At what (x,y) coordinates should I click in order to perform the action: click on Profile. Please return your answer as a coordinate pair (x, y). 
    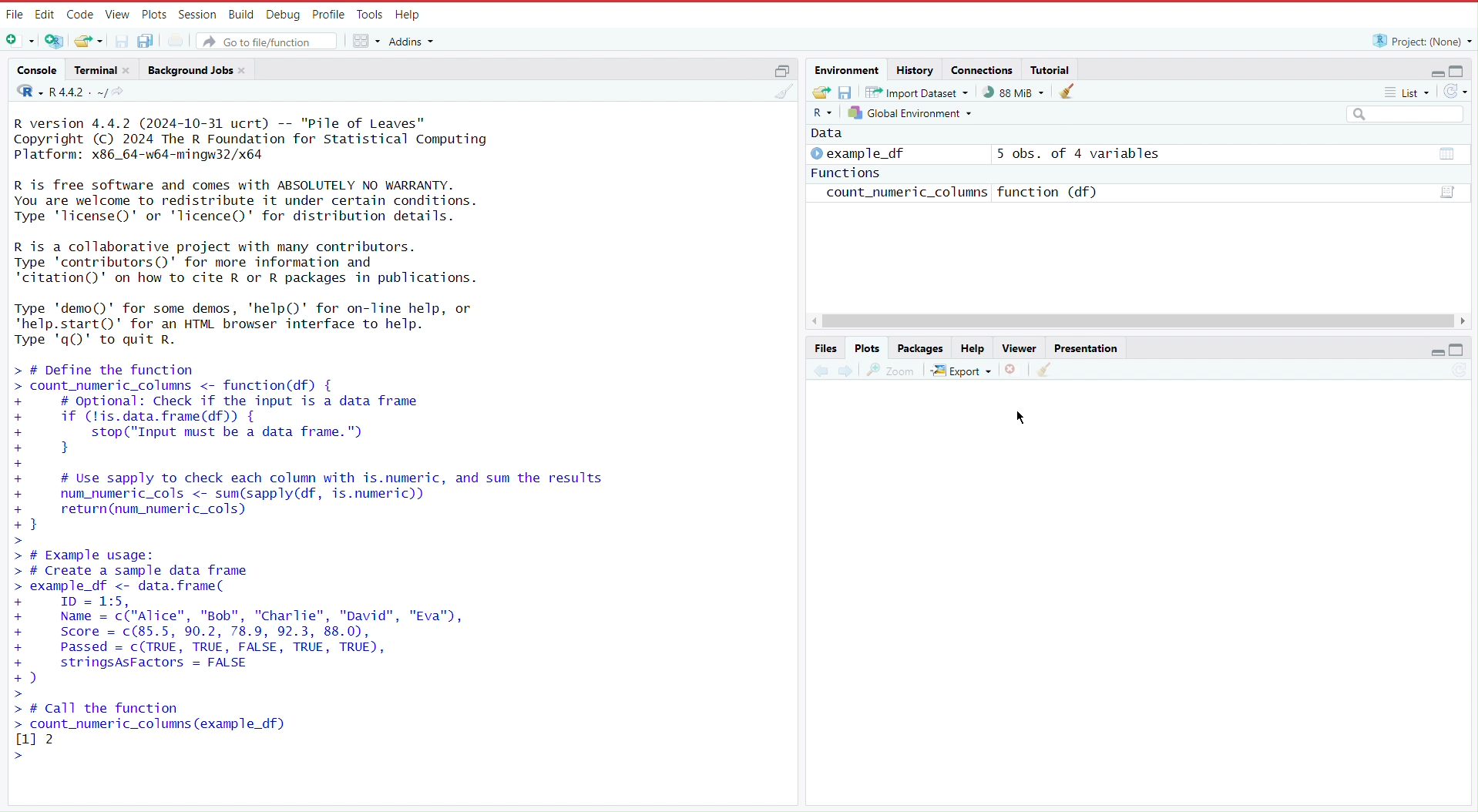
    Looking at the image, I should click on (325, 13).